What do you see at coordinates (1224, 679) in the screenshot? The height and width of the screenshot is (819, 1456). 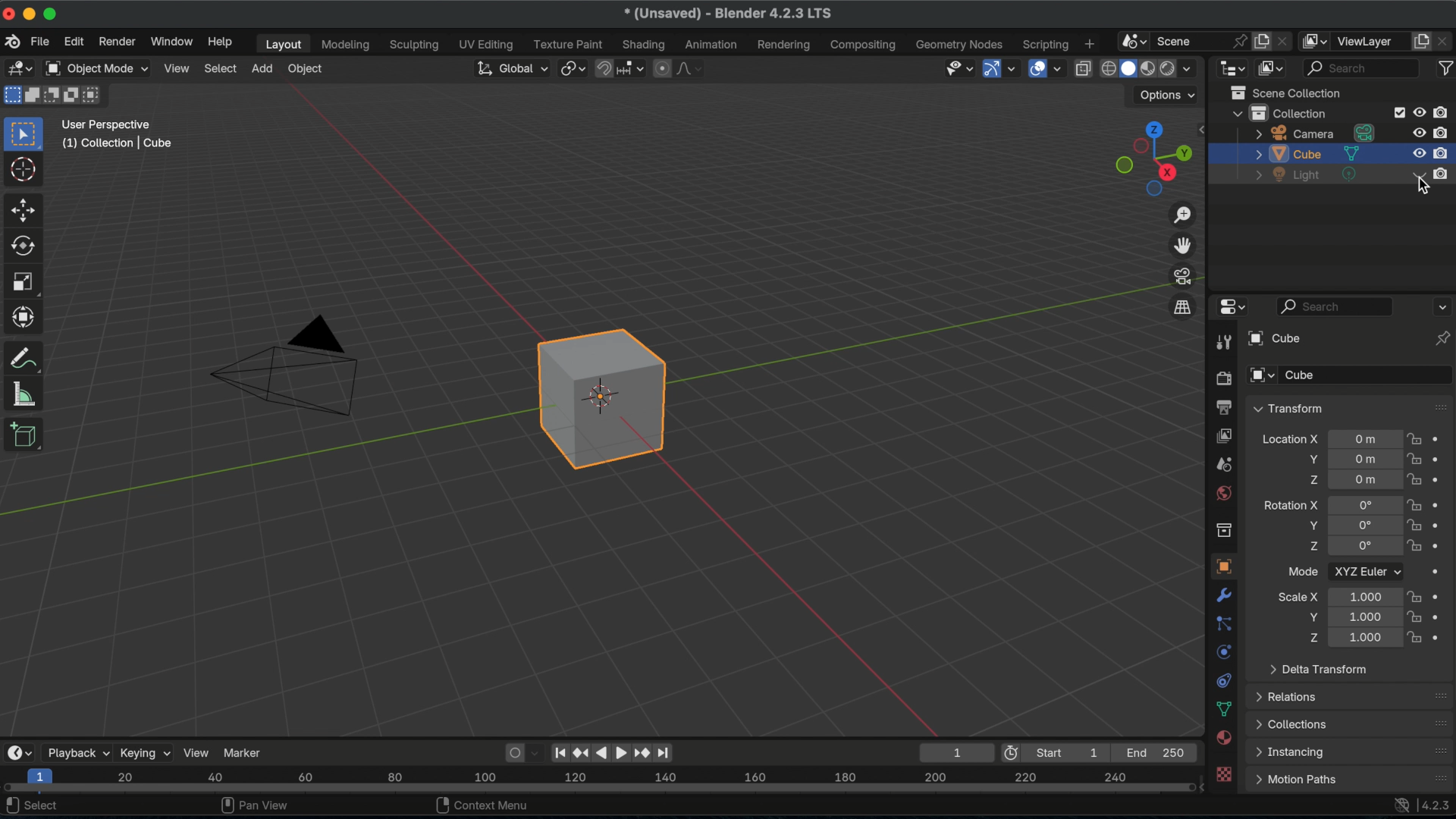 I see `constraints` at bounding box center [1224, 679].